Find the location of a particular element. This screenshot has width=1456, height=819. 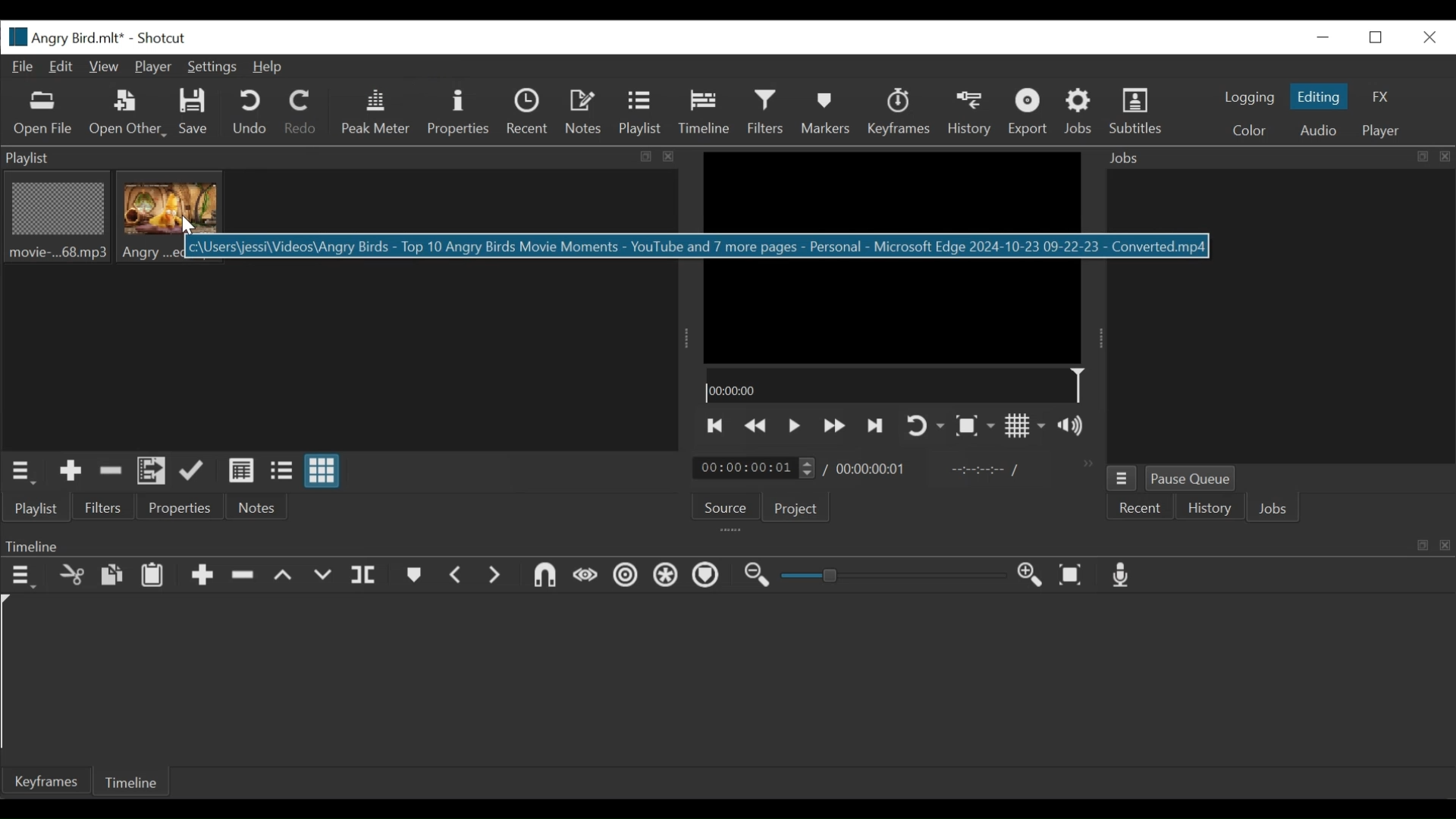

File name is located at coordinates (64, 36).